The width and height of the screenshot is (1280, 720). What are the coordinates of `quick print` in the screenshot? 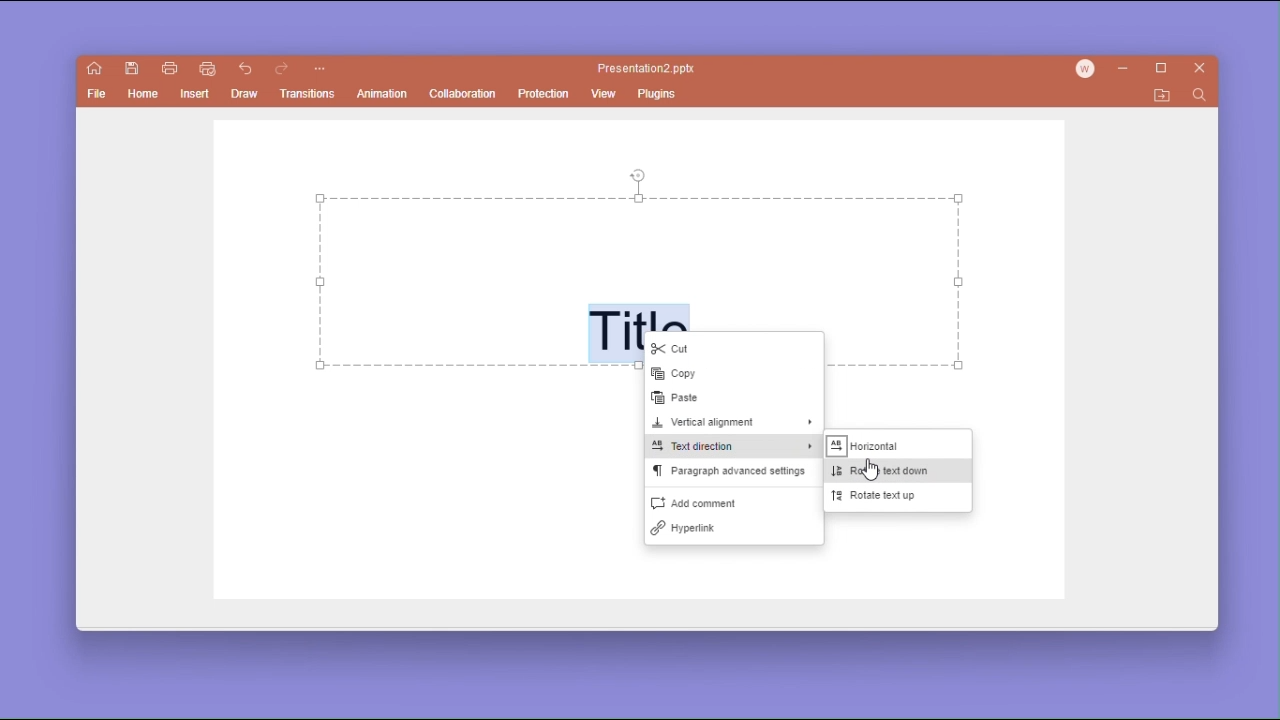 It's located at (206, 69).